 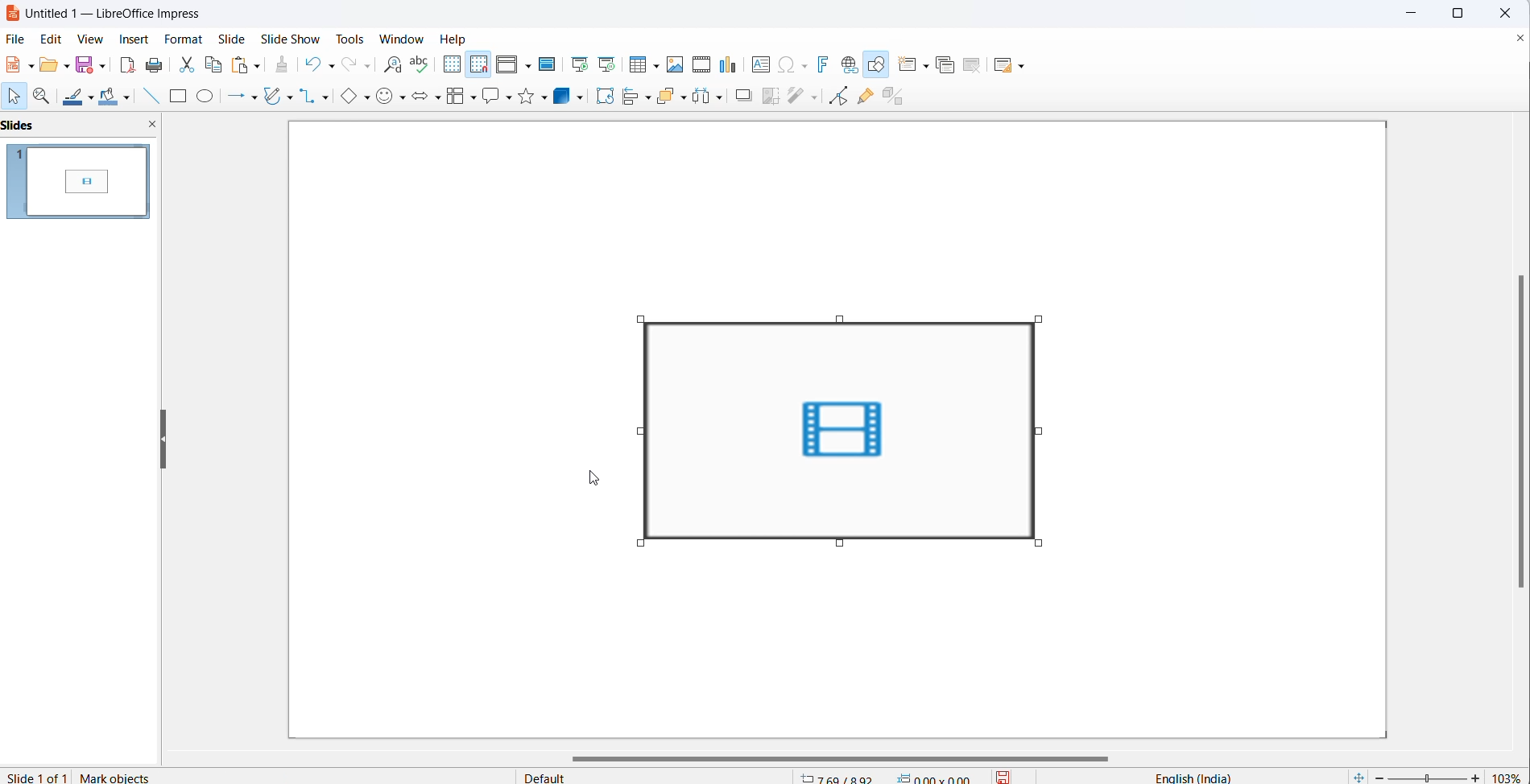 What do you see at coordinates (1508, 774) in the screenshot?
I see `zoom percentage` at bounding box center [1508, 774].